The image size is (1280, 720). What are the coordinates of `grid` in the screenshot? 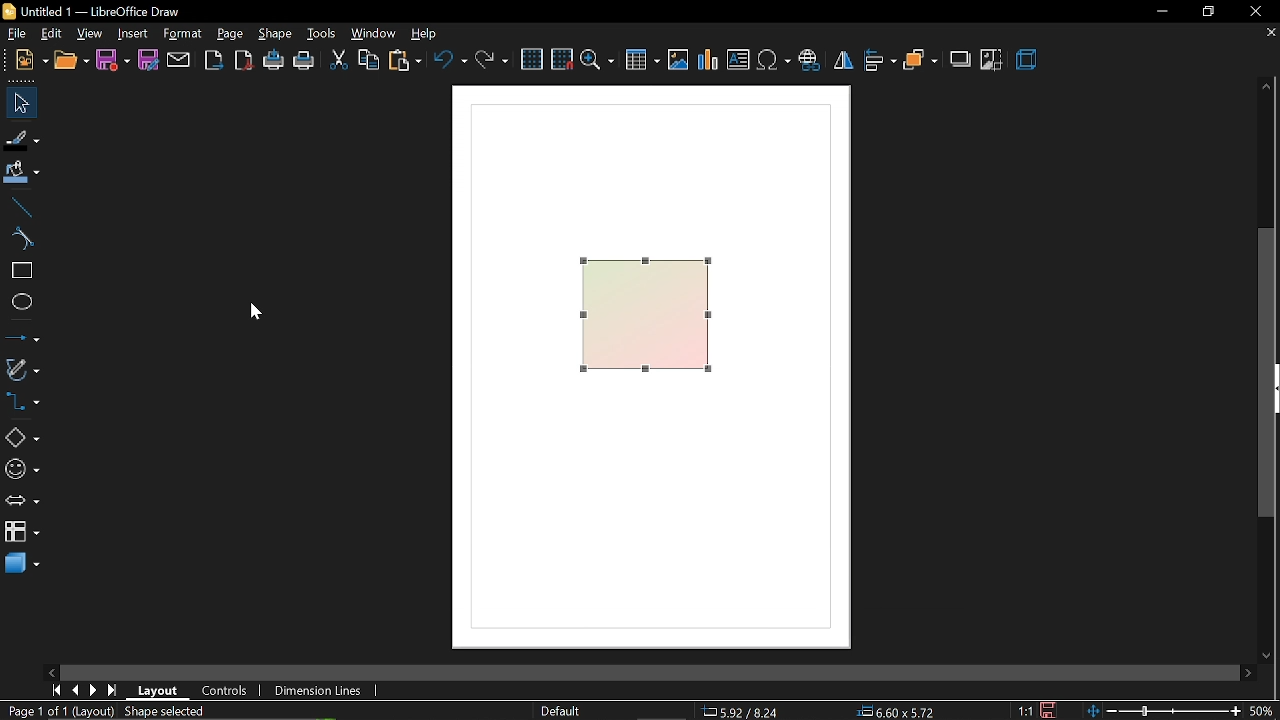 It's located at (531, 59).